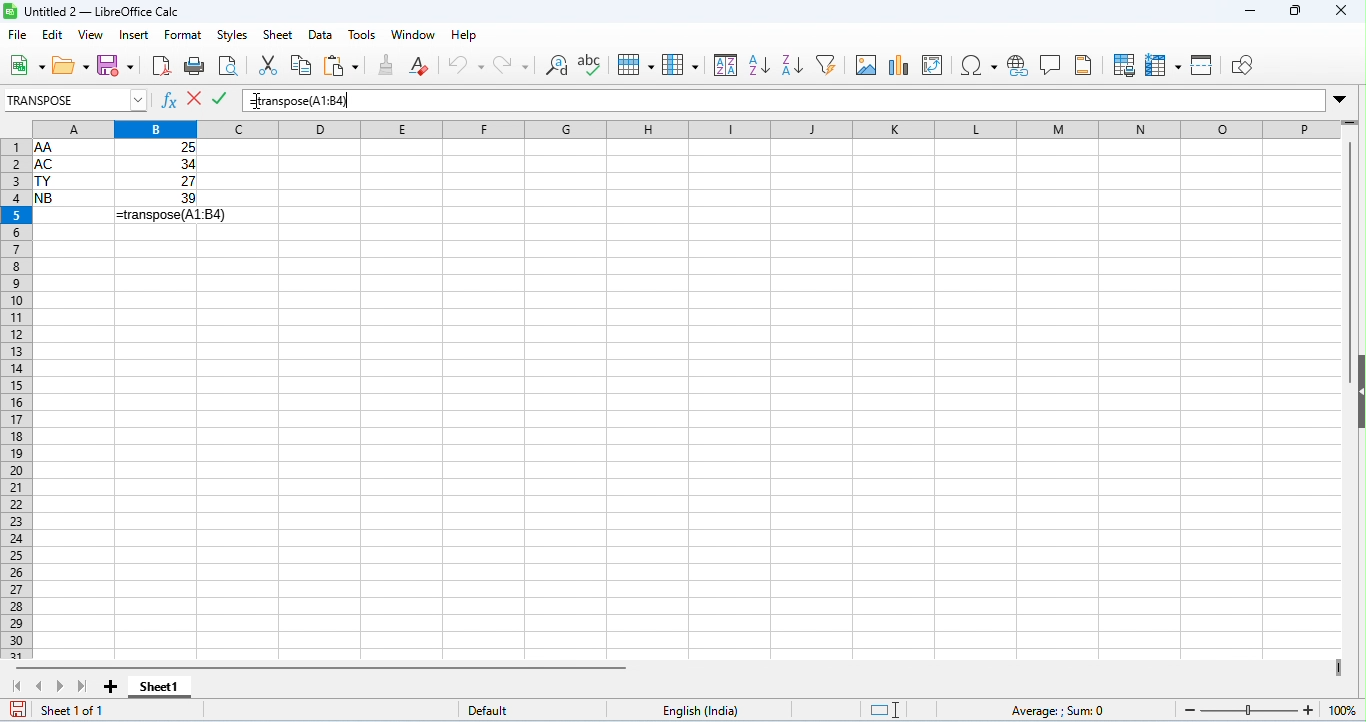  What do you see at coordinates (1086, 65) in the screenshot?
I see `header and footer` at bounding box center [1086, 65].